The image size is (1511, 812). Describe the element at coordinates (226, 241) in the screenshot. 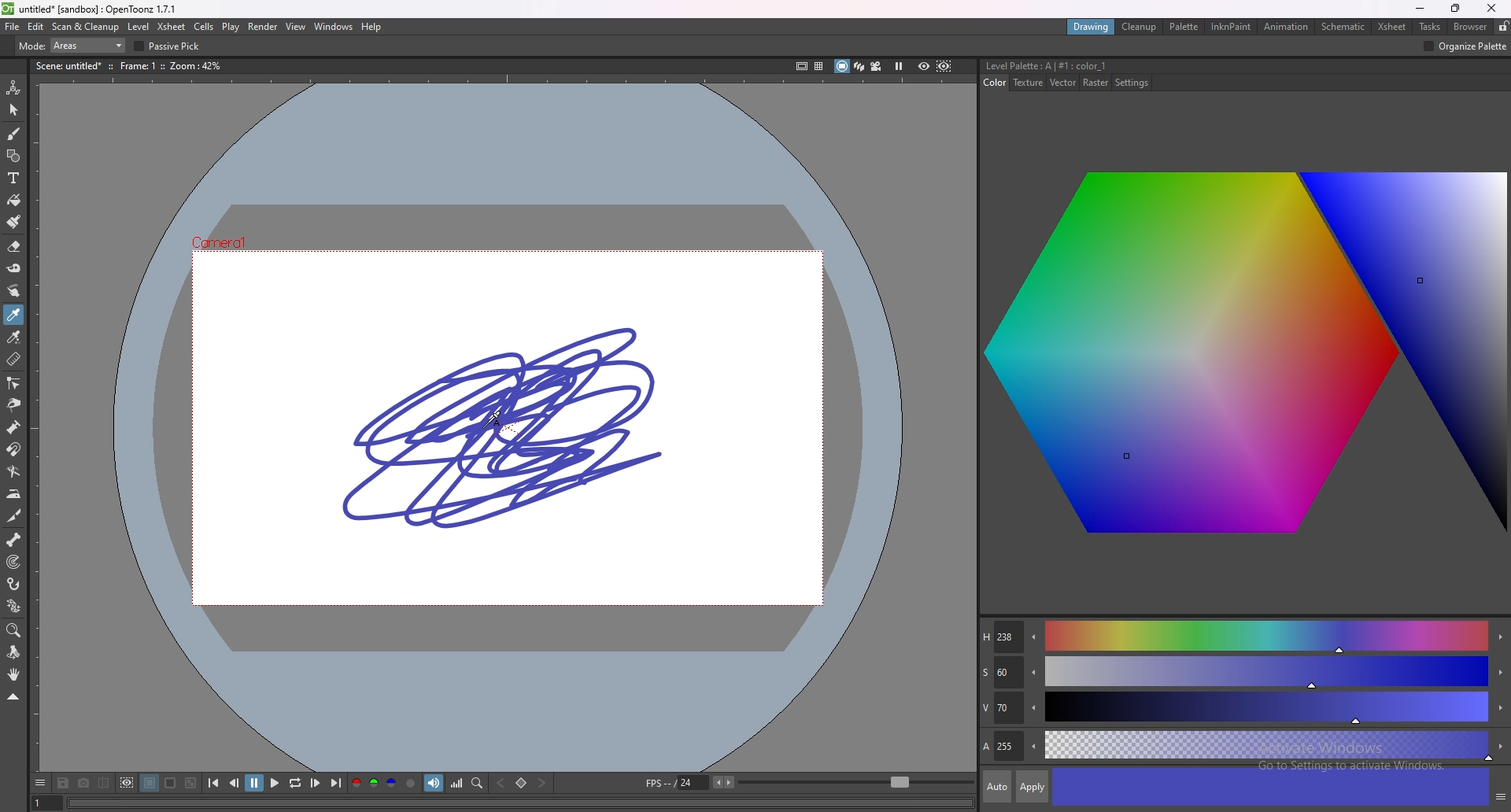

I see `camera1` at that location.